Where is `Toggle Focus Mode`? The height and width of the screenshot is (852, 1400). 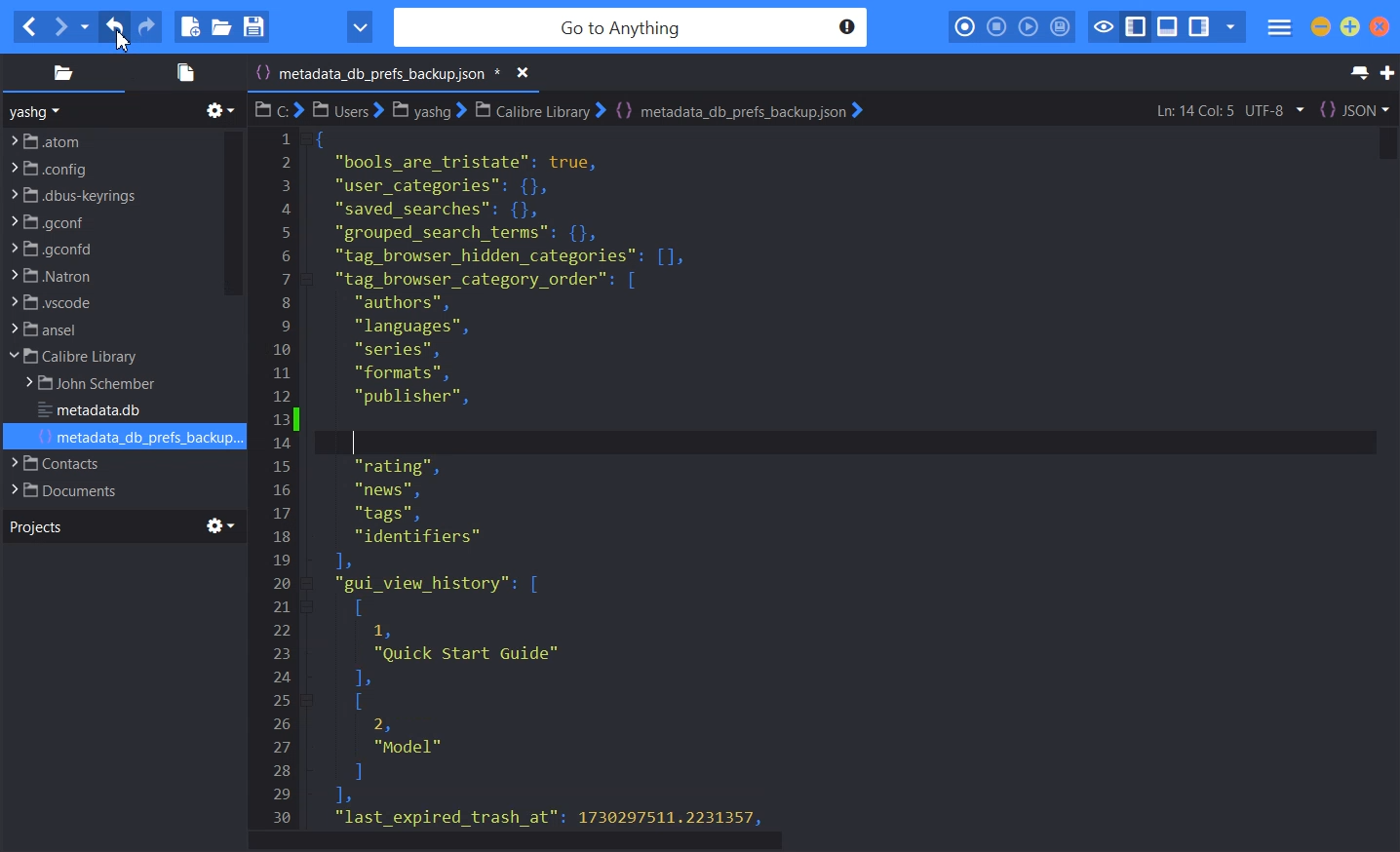
Toggle Focus Mode is located at coordinates (1102, 27).